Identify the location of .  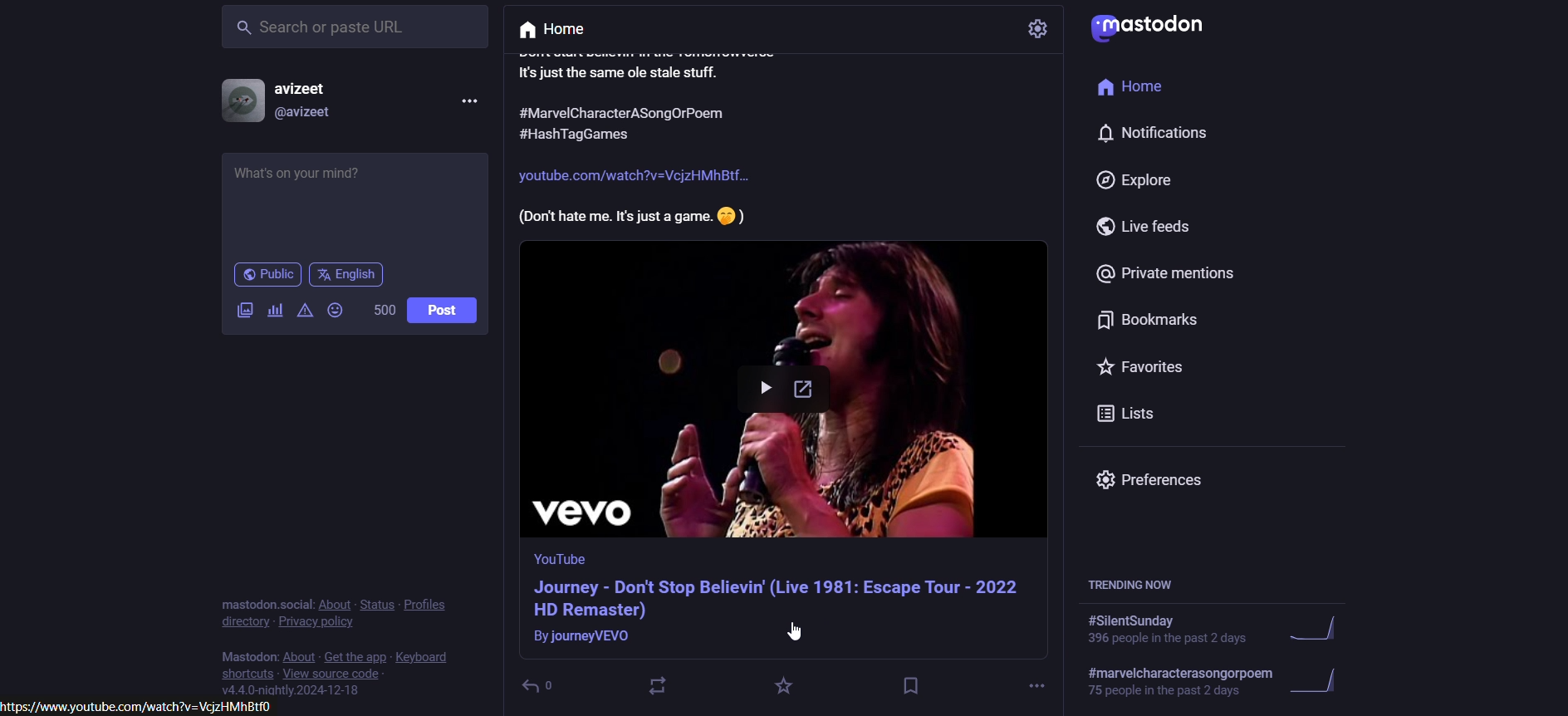
(625, 114).